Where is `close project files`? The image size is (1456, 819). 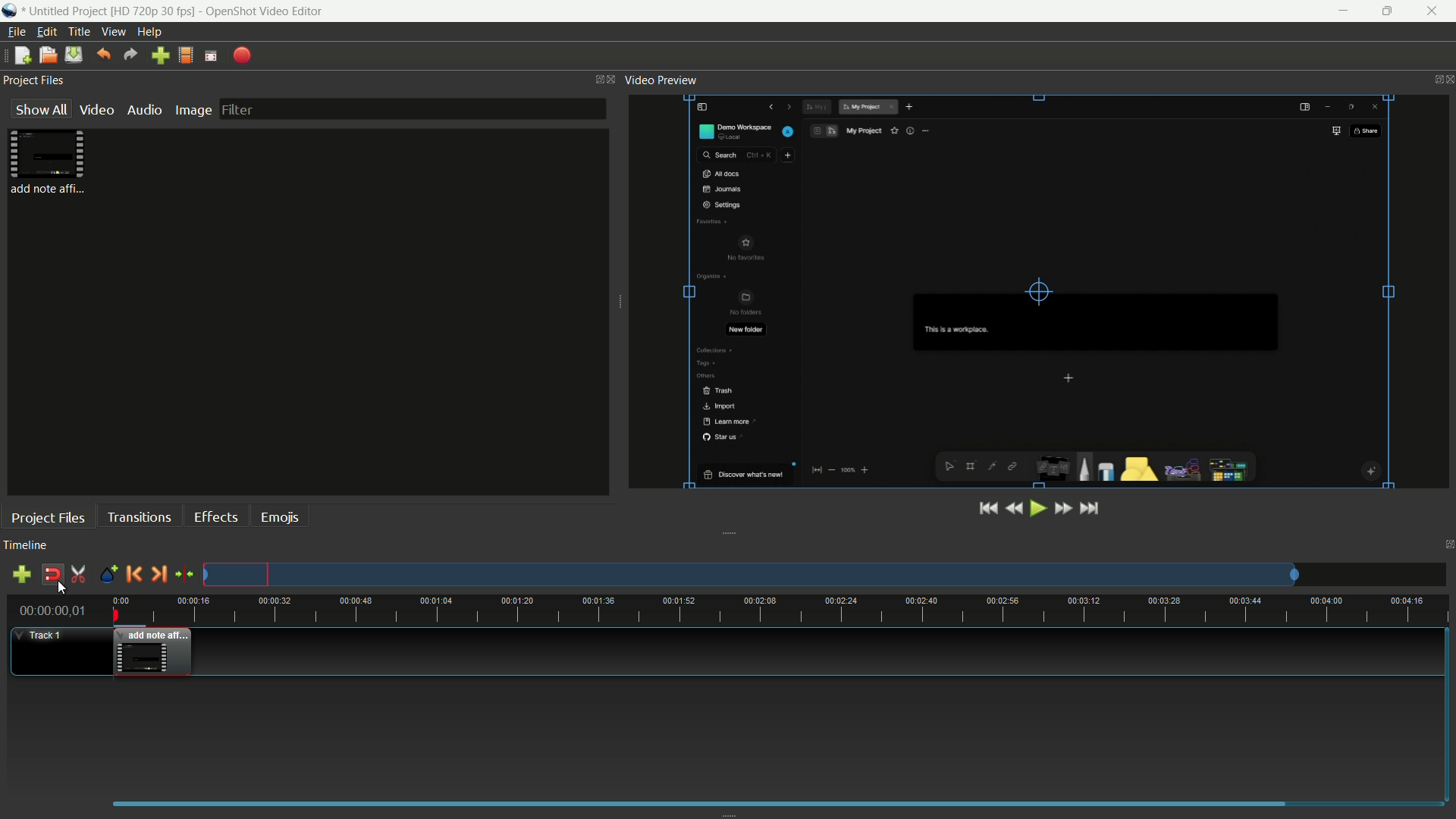 close project files is located at coordinates (611, 80).